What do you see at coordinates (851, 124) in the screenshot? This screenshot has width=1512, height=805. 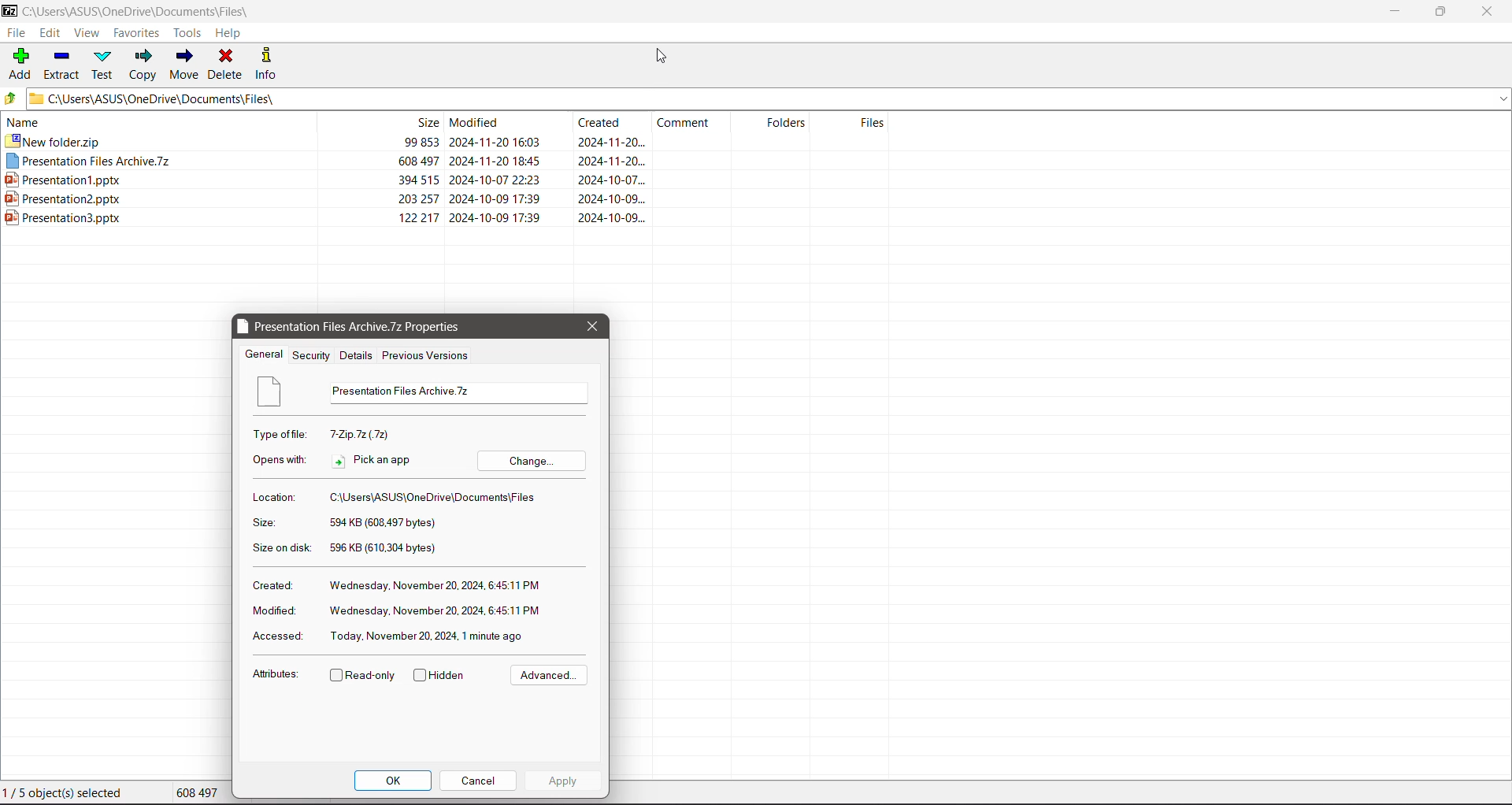 I see `Files` at bounding box center [851, 124].